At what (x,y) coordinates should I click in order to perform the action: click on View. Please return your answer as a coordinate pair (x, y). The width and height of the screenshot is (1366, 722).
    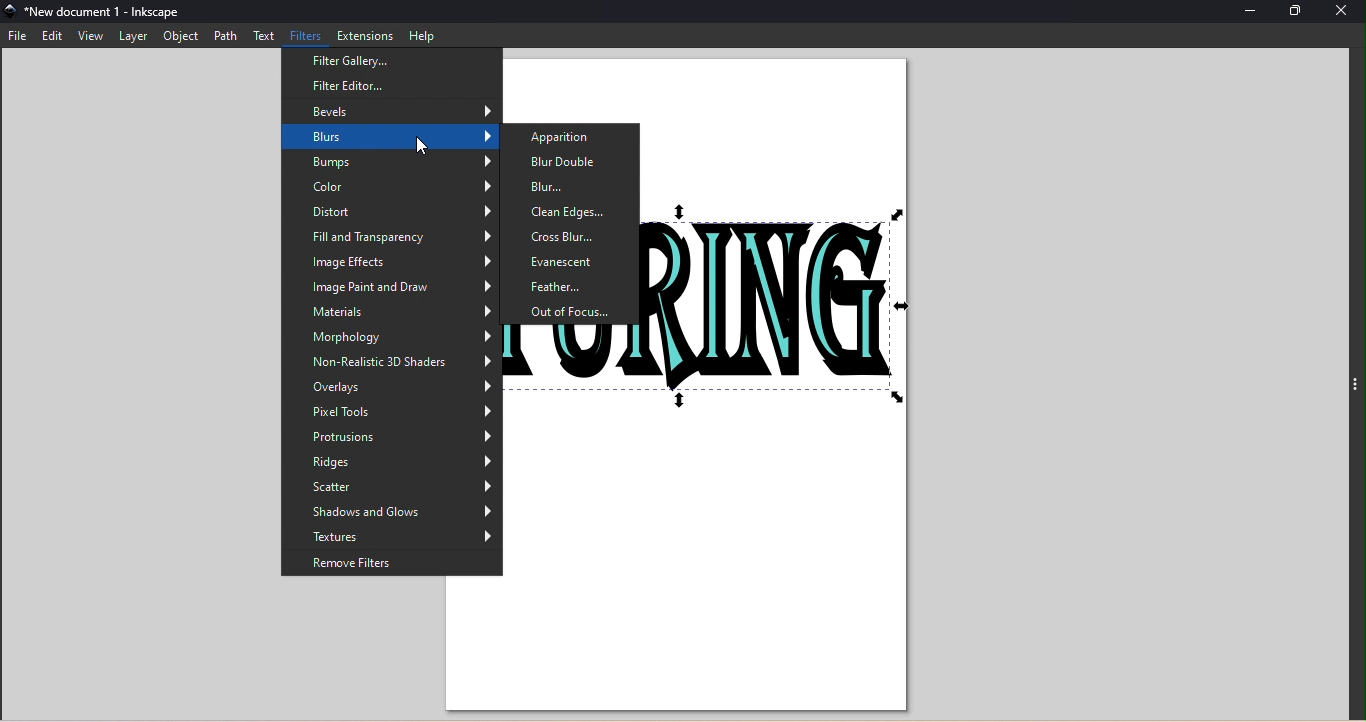
    Looking at the image, I should click on (91, 36).